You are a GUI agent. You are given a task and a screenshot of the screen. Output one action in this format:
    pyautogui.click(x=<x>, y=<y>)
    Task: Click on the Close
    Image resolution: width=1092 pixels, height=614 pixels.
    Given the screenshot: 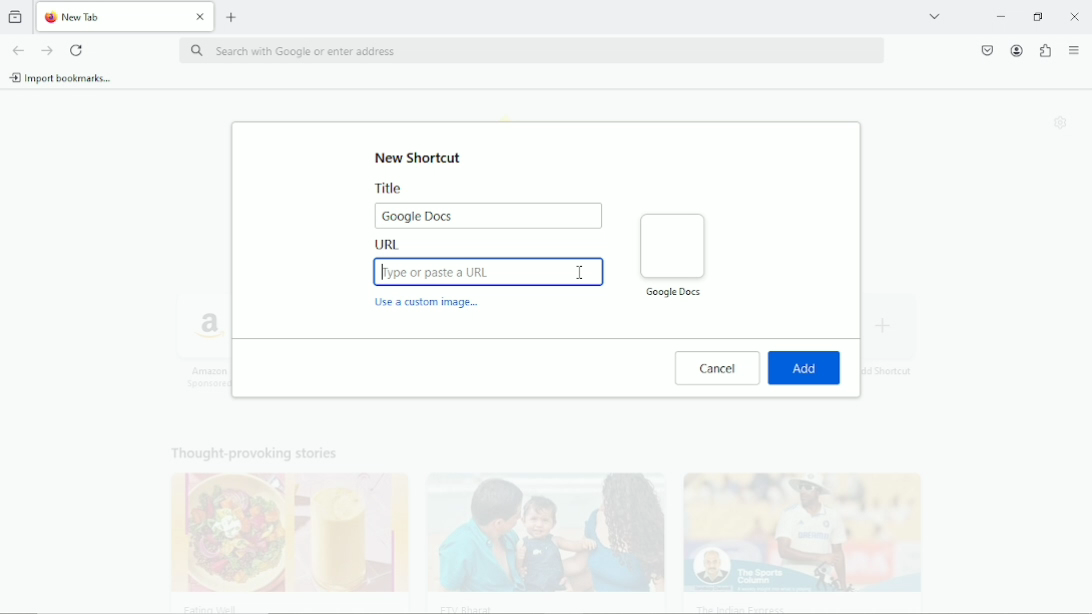 What is the action you would take?
    pyautogui.click(x=1075, y=16)
    